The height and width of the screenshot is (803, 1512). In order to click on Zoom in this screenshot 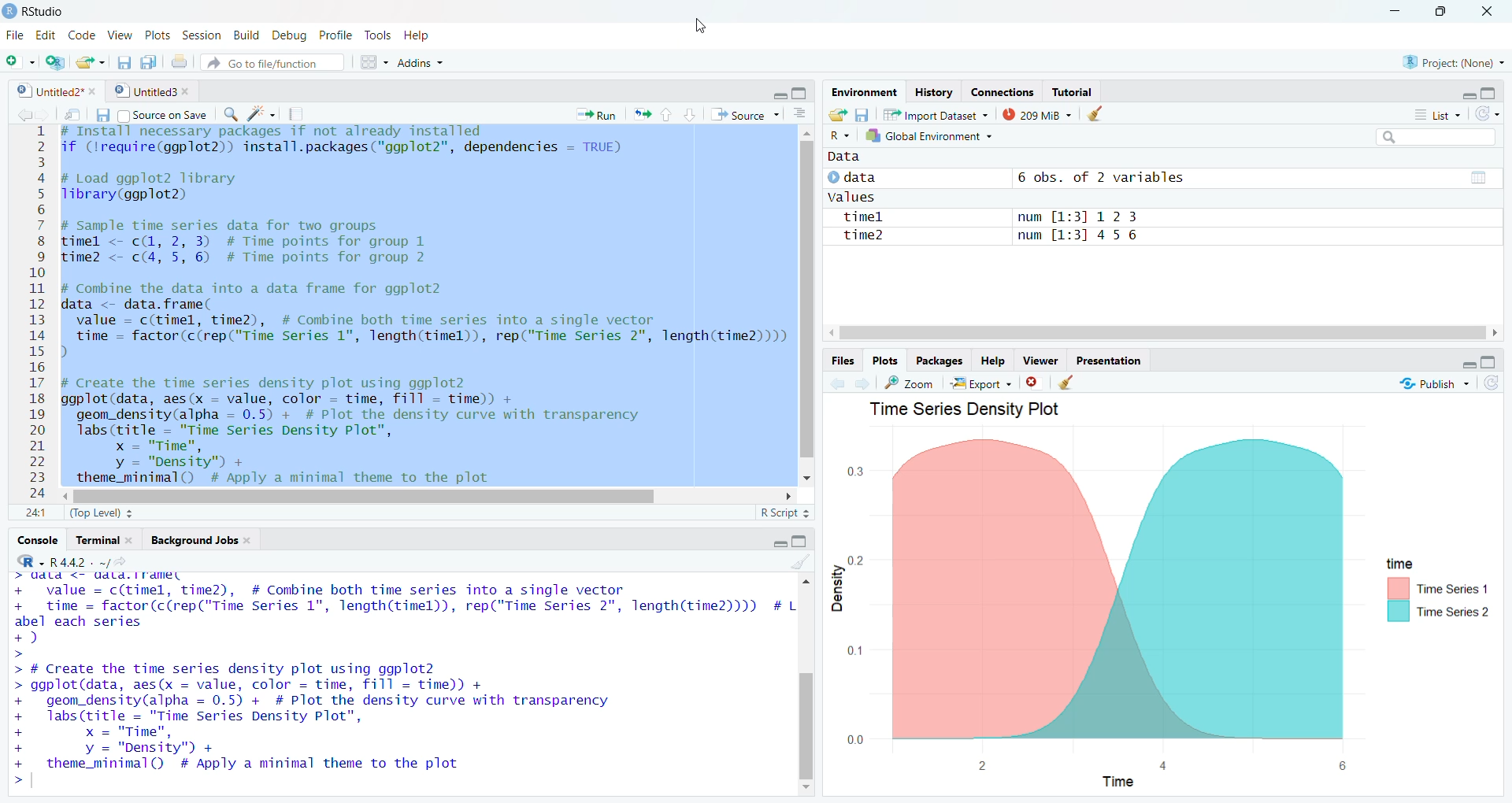, I will do `click(909, 383)`.